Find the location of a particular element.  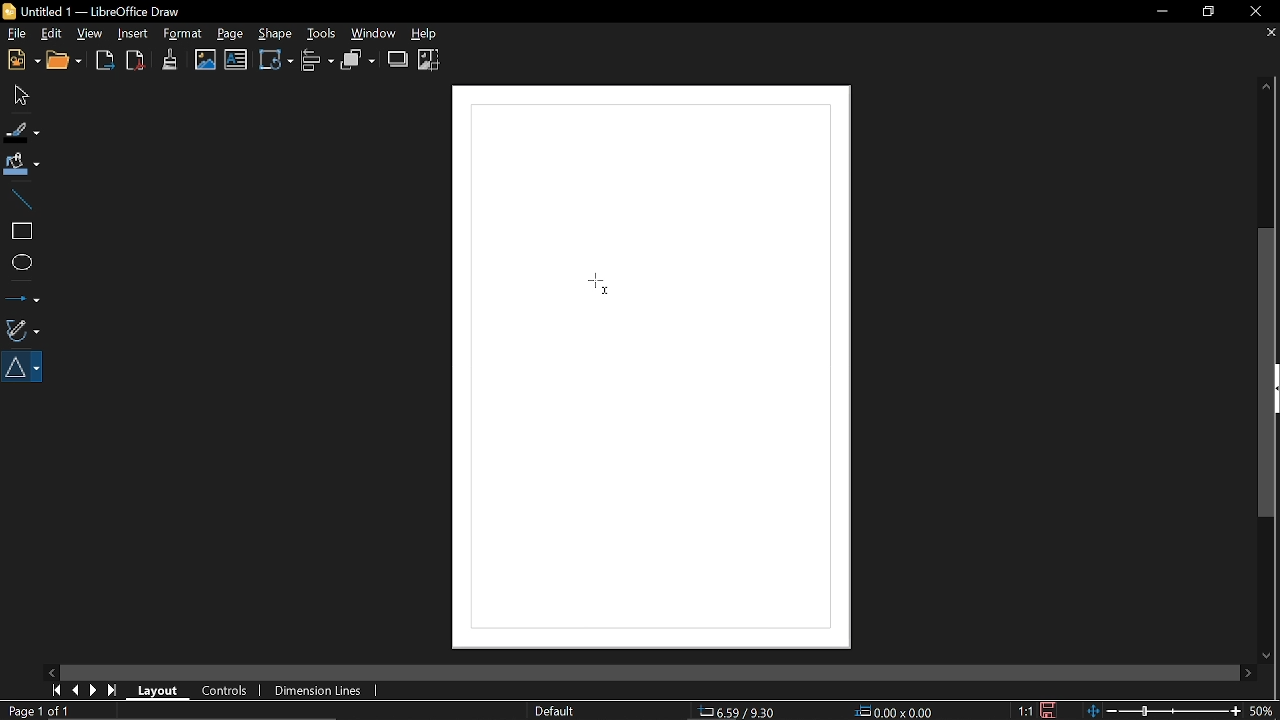

Page is located at coordinates (230, 34).